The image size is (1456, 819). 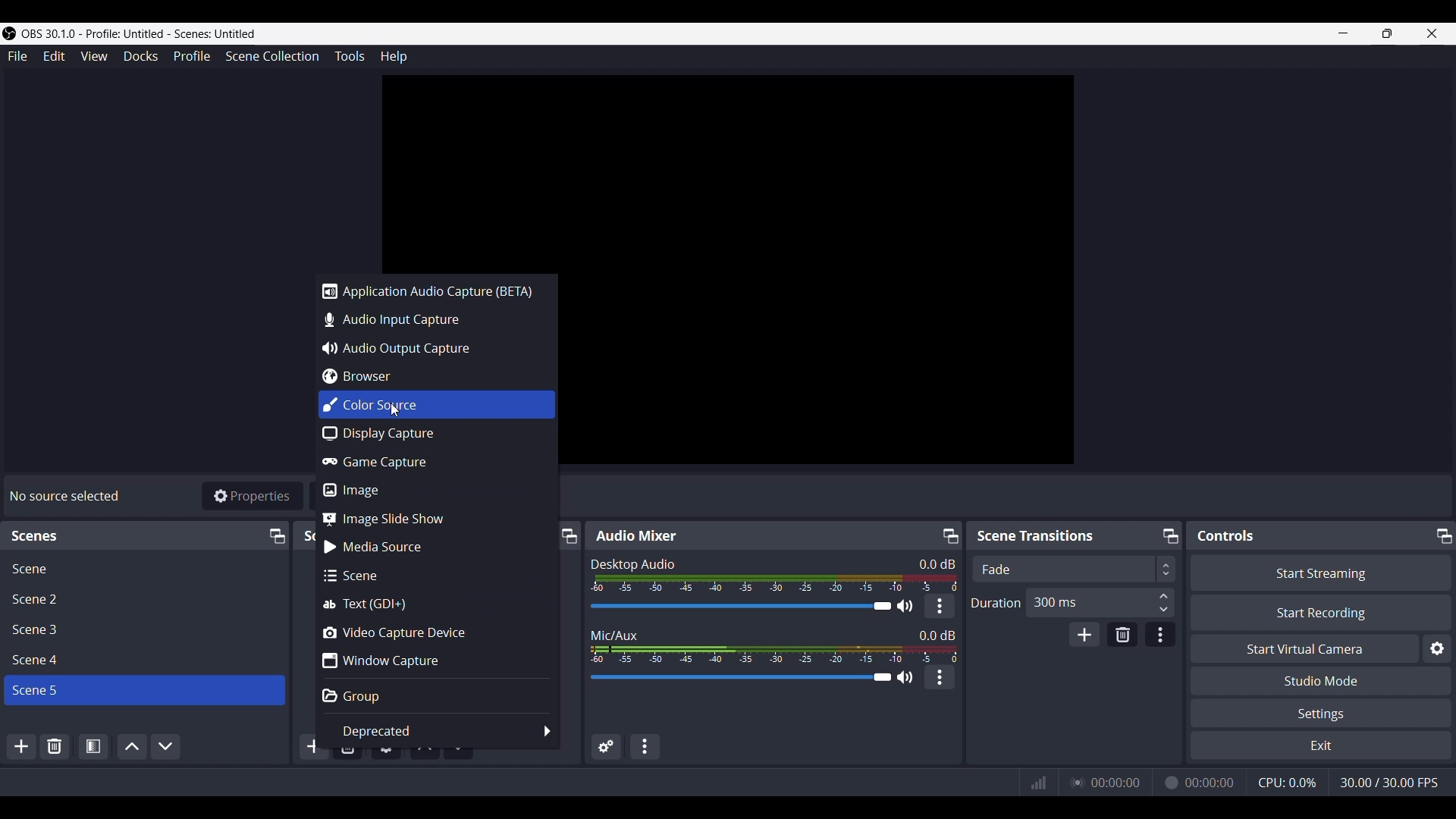 What do you see at coordinates (275, 535) in the screenshot?
I see `Maximize` at bounding box center [275, 535].